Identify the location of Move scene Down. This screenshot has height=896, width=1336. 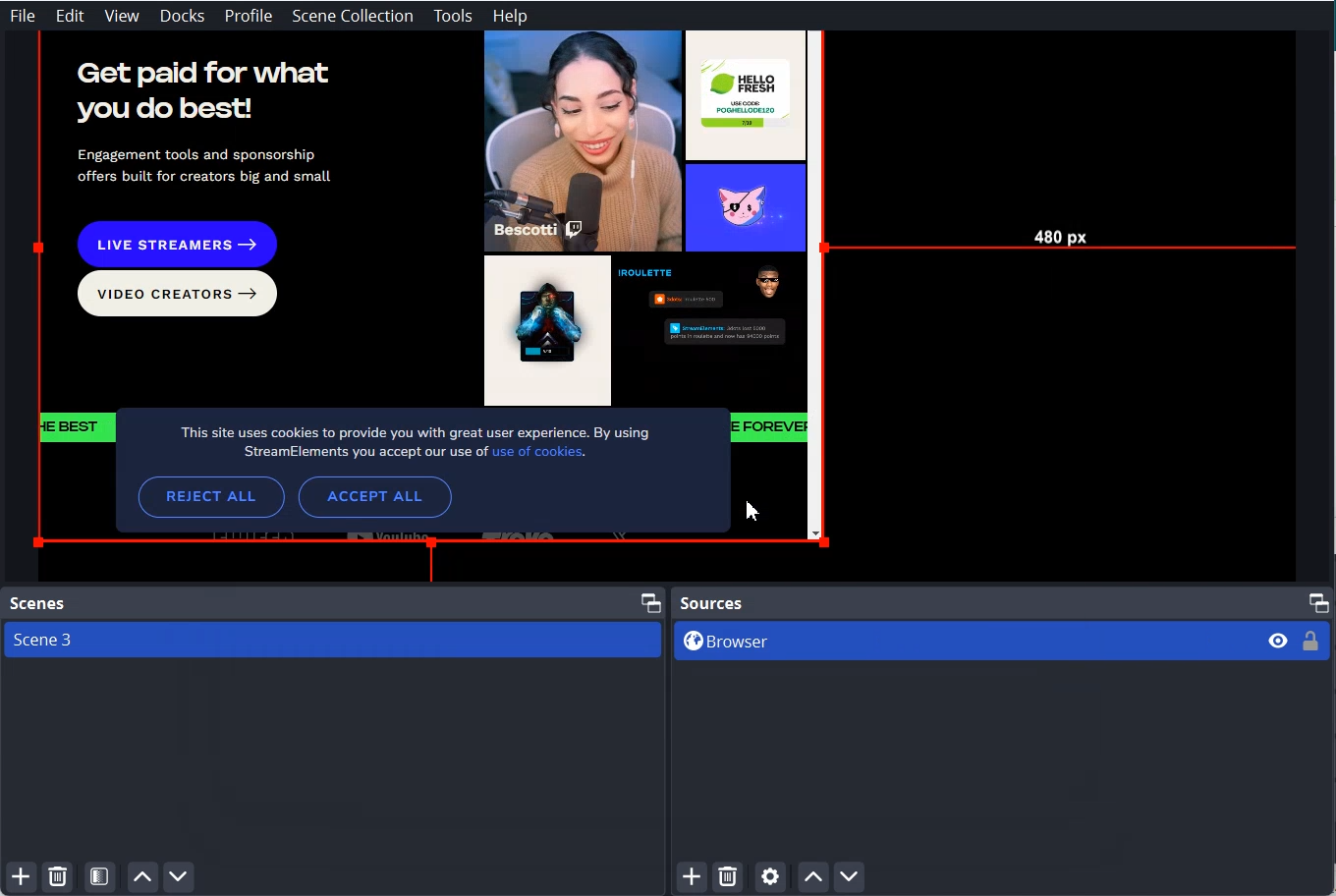
(181, 877).